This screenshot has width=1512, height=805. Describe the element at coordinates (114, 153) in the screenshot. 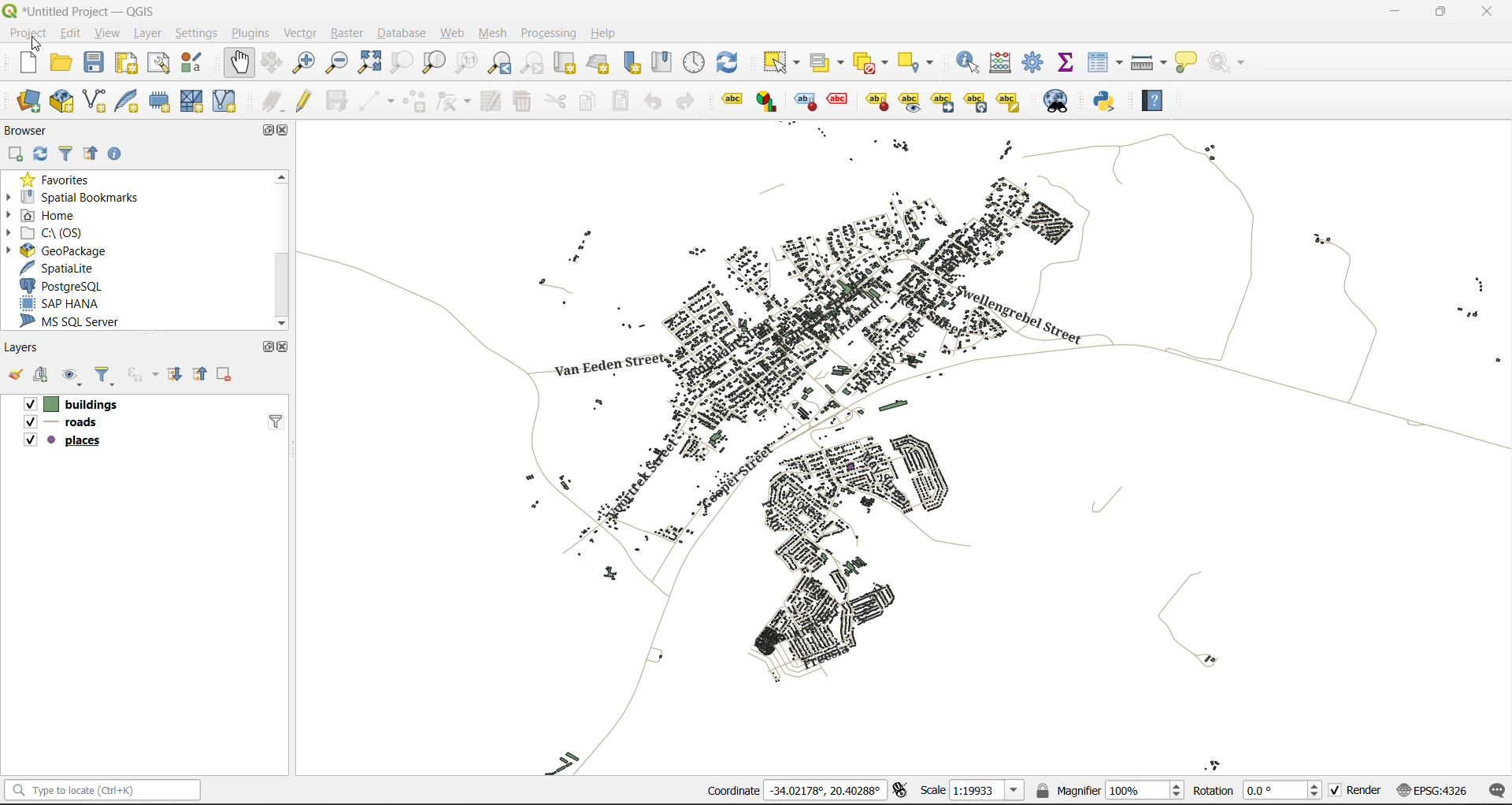

I see `enable properties` at that location.